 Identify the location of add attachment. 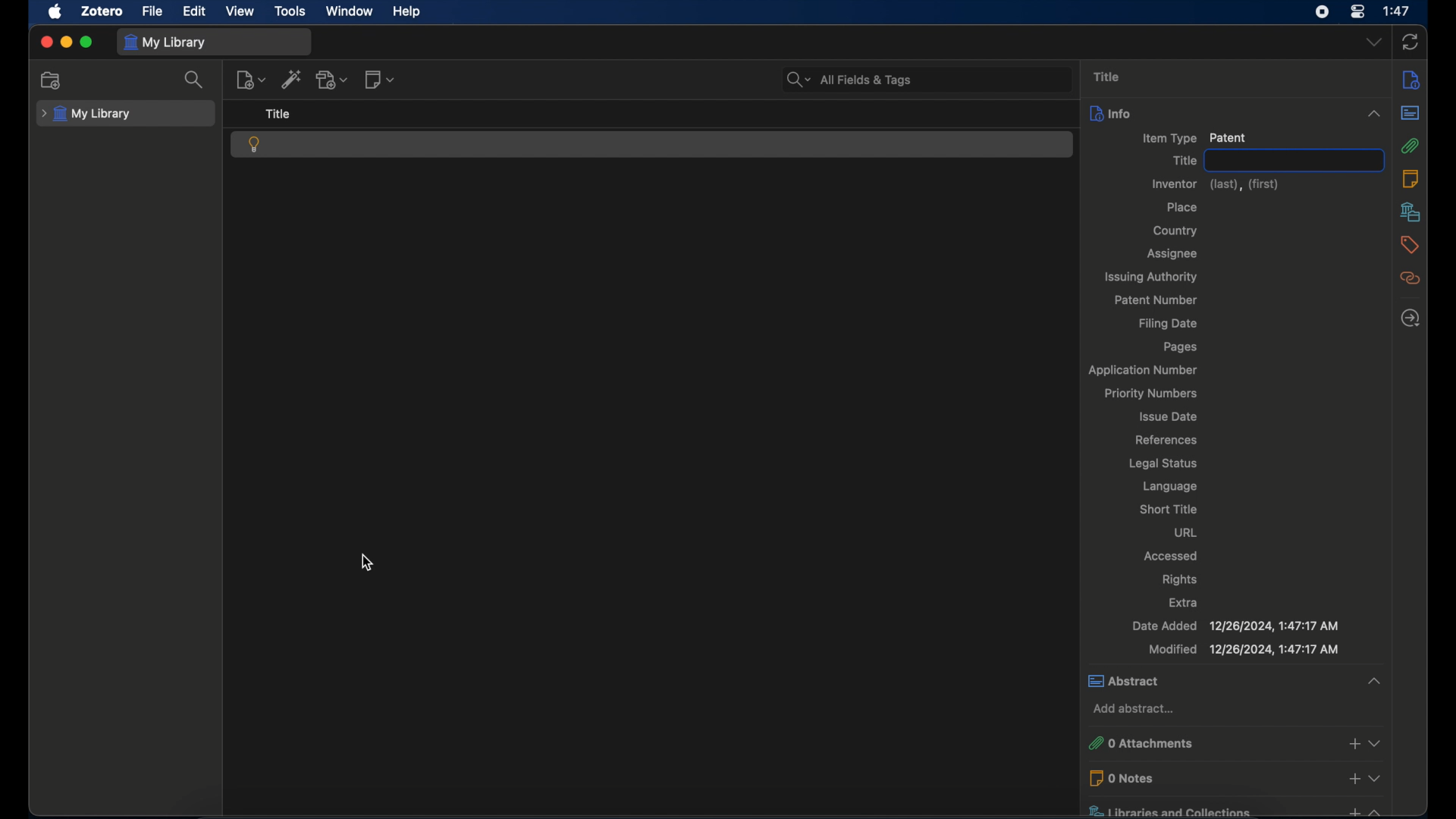
(334, 80).